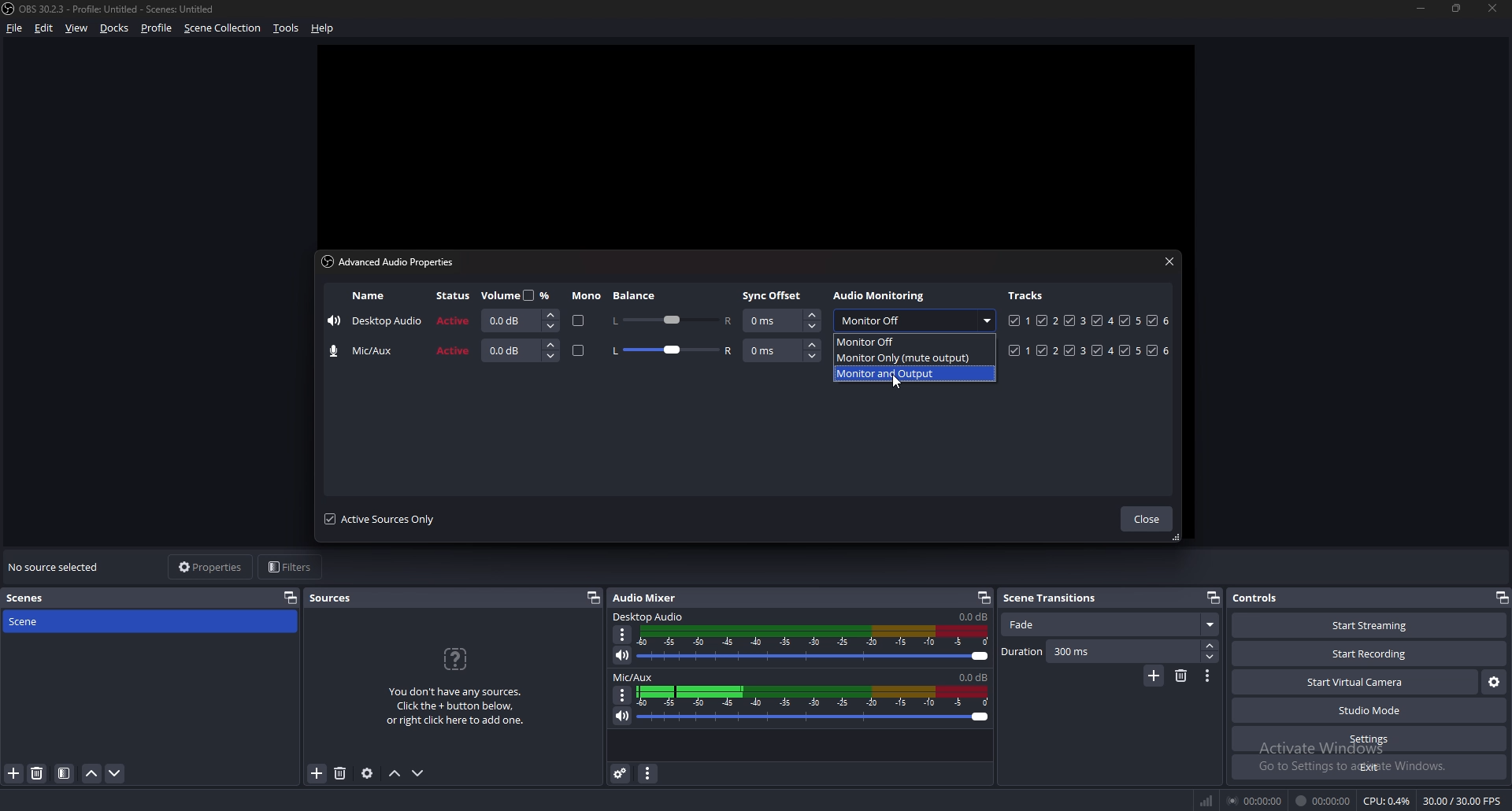 The image size is (1512, 811). What do you see at coordinates (672, 352) in the screenshot?
I see `balance adjust` at bounding box center [672, 352].